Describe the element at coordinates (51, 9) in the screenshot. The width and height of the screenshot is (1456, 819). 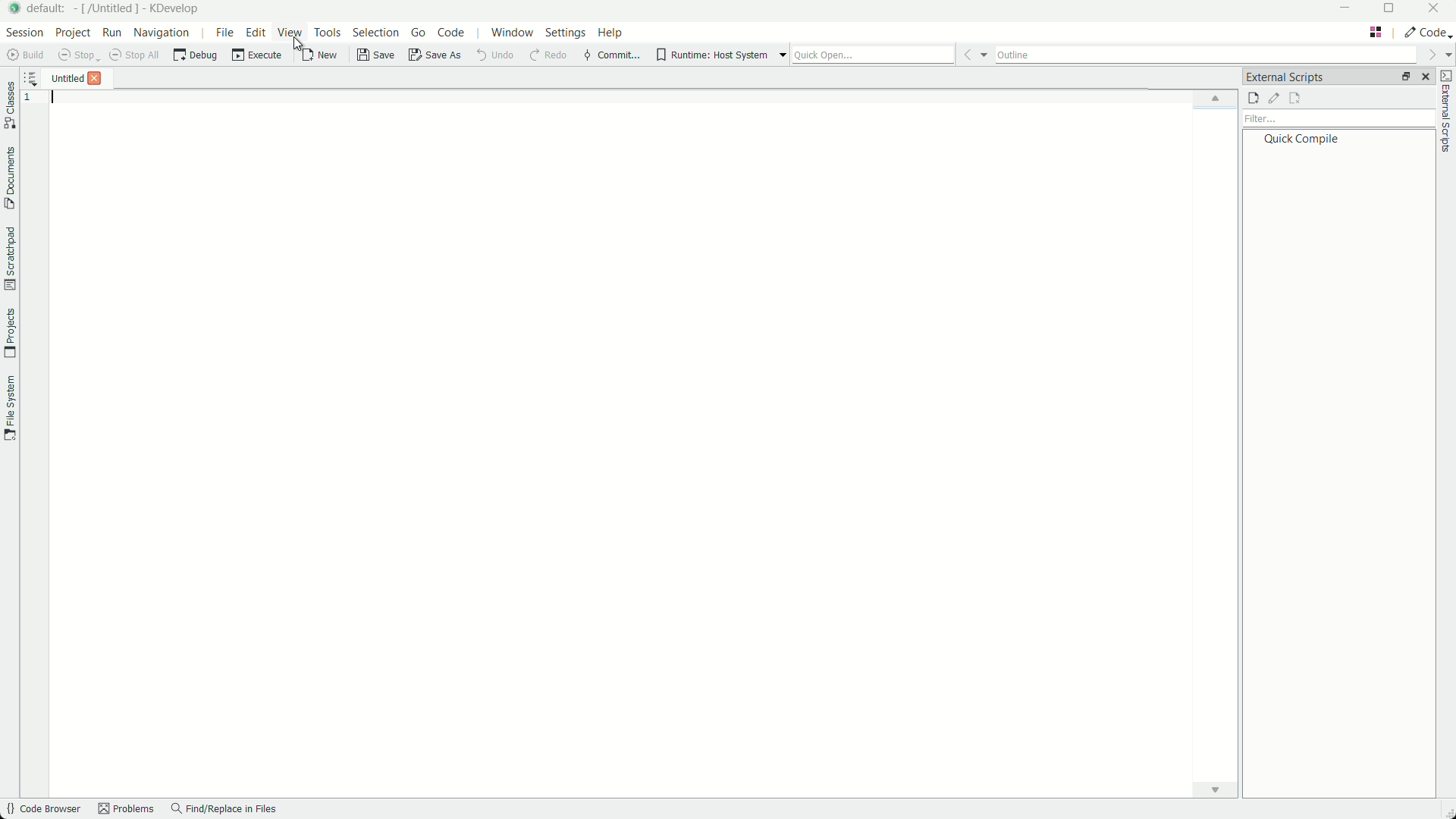
I see `default` at that location.